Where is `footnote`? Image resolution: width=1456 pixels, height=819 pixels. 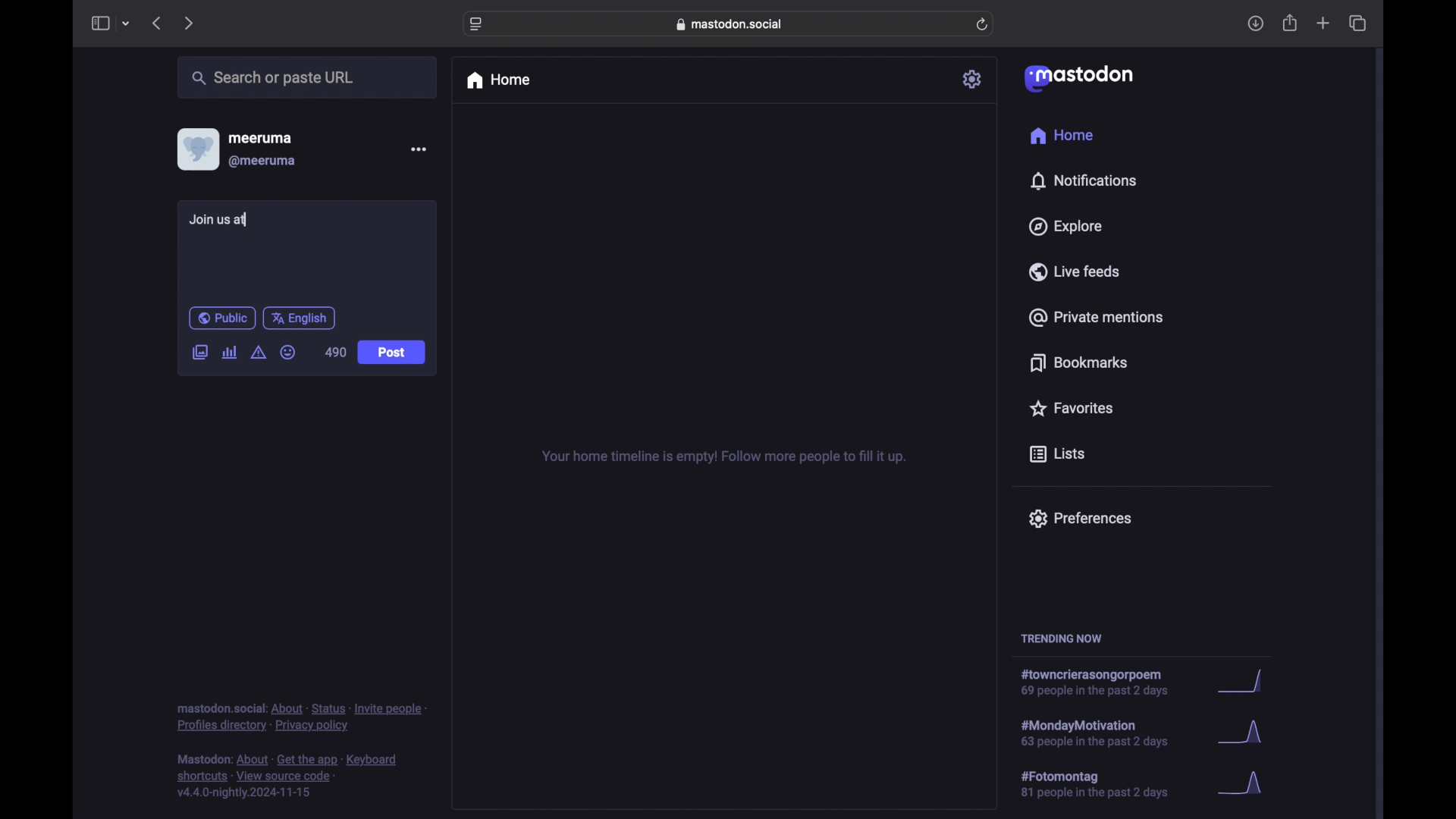 footnote is located at coordinates (290, 777).